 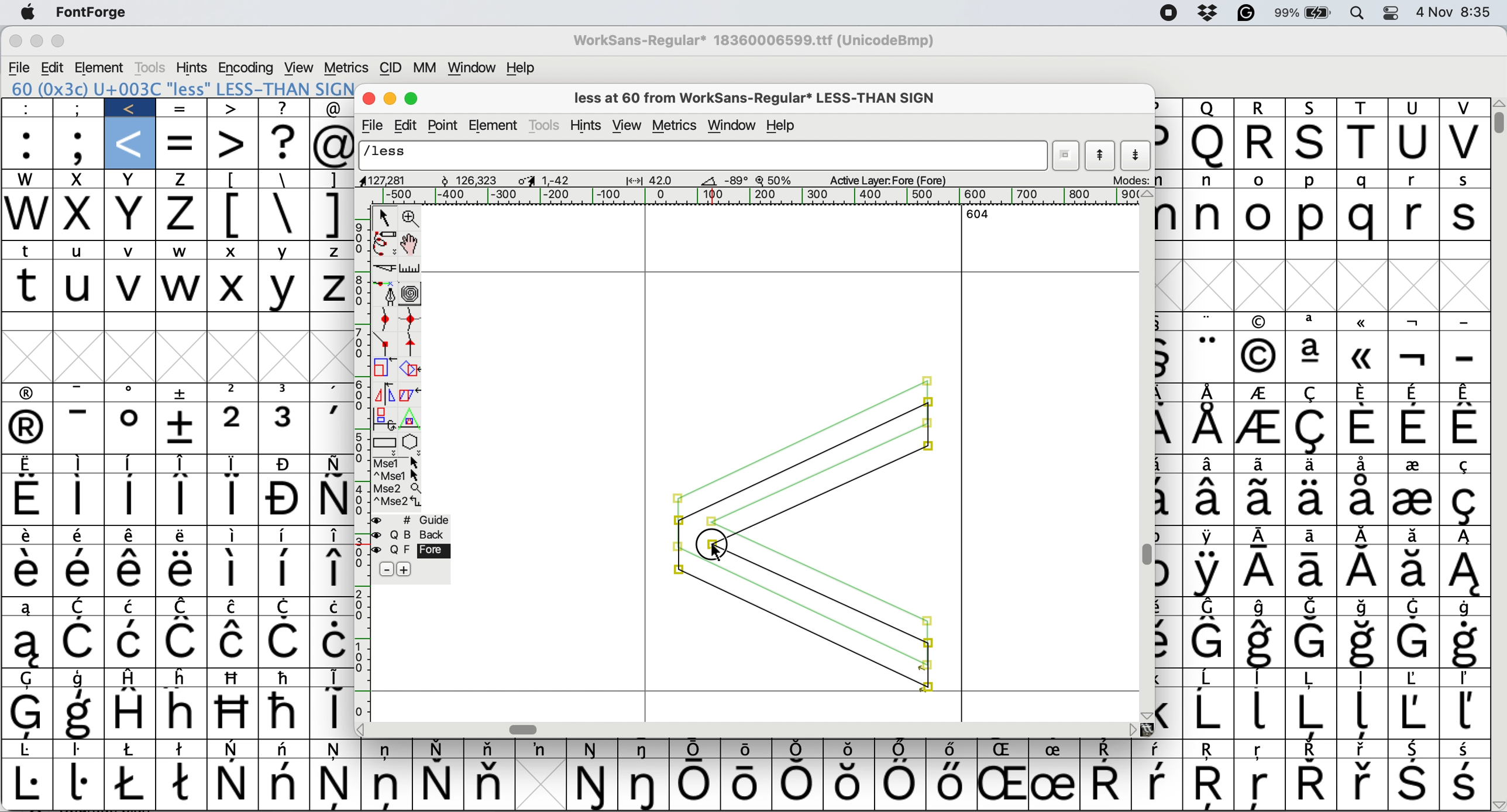 I want to click on Y, so click(x=284, y=248).